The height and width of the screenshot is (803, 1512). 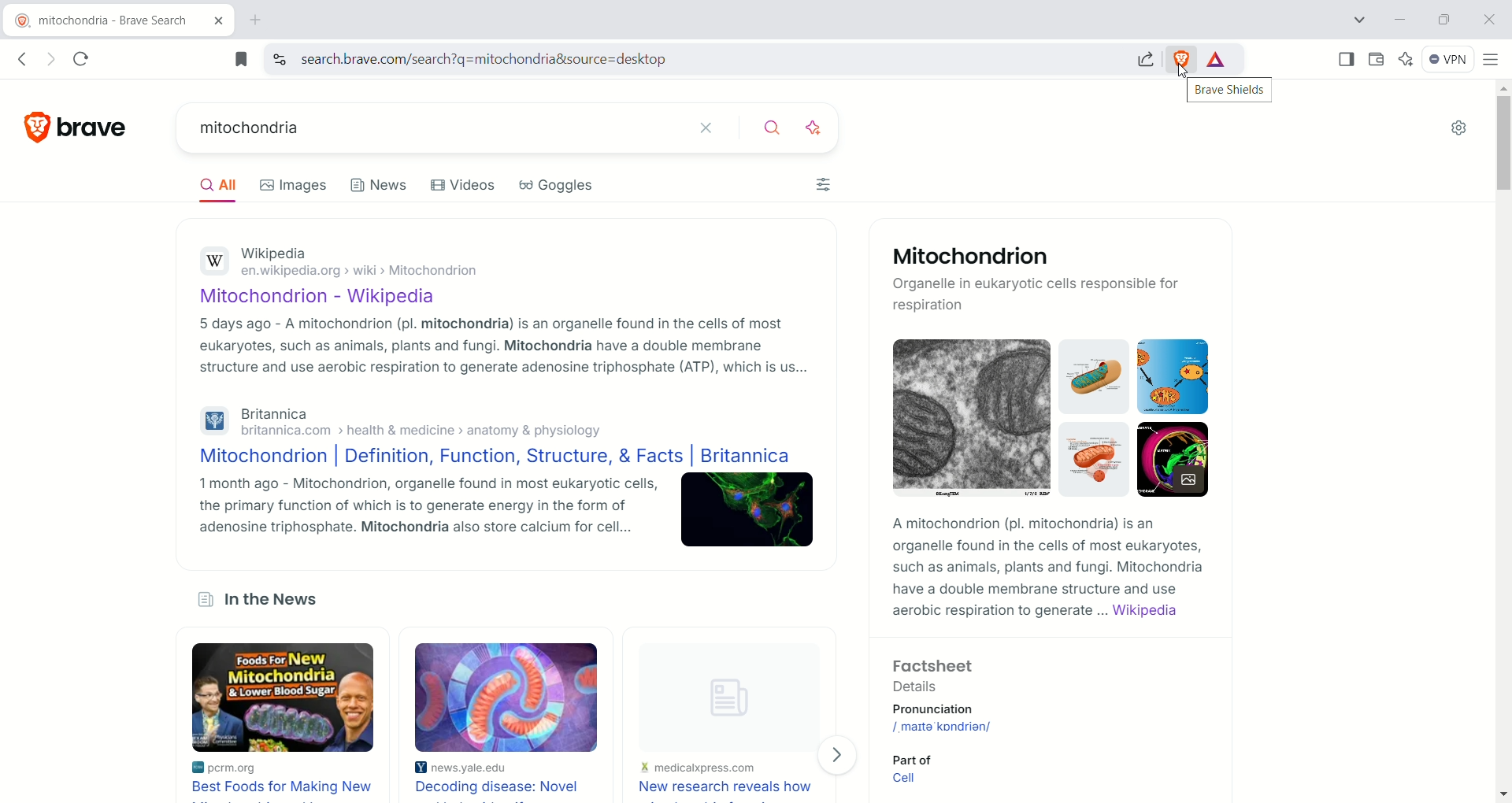 What do you see at coordinates (471, 768) in the screenshot?
I see `news.yale.edu` at bounding box center [471, 768].